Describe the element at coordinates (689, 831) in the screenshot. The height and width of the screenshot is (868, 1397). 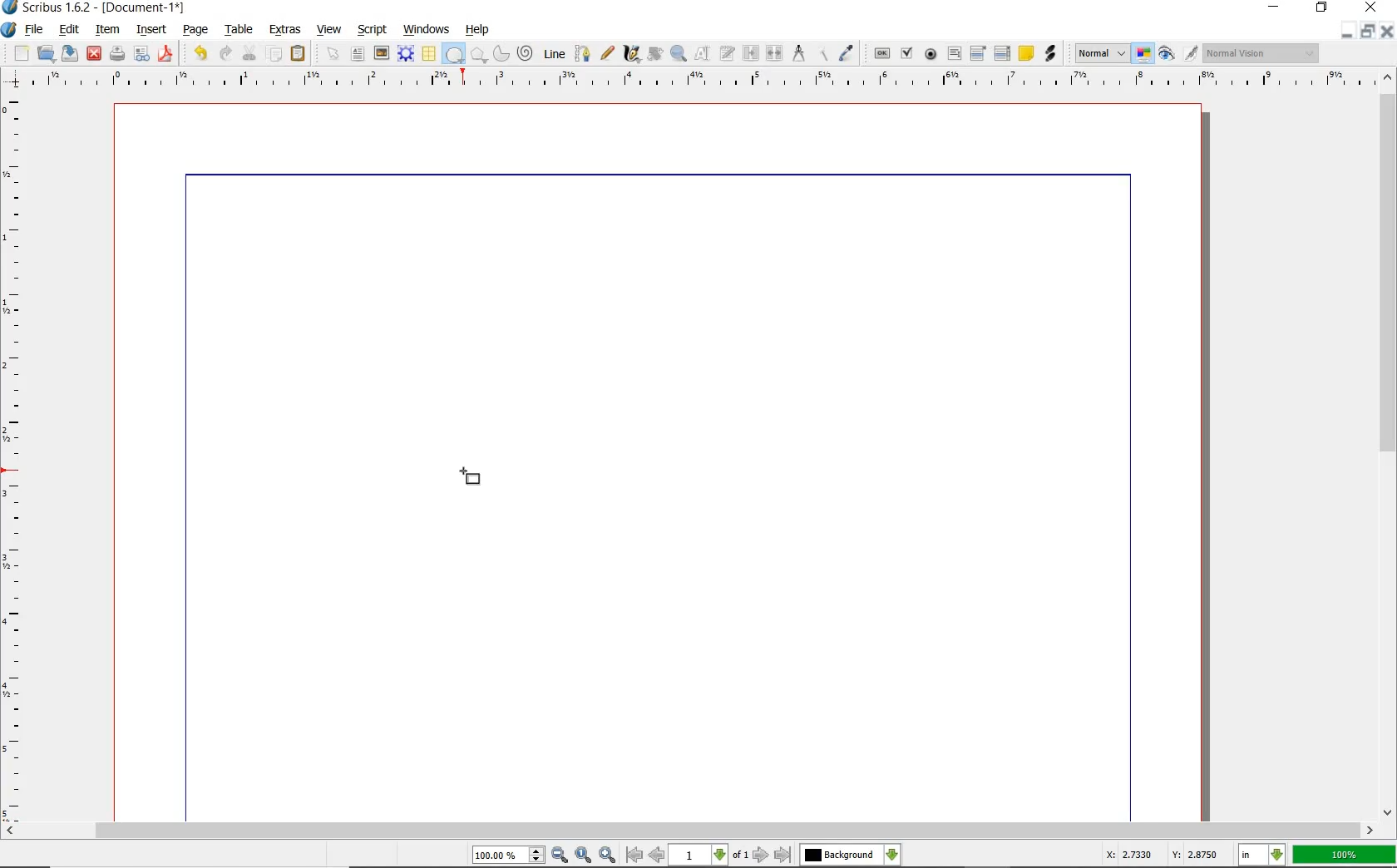
I see `SCROLLBAR` at that location.